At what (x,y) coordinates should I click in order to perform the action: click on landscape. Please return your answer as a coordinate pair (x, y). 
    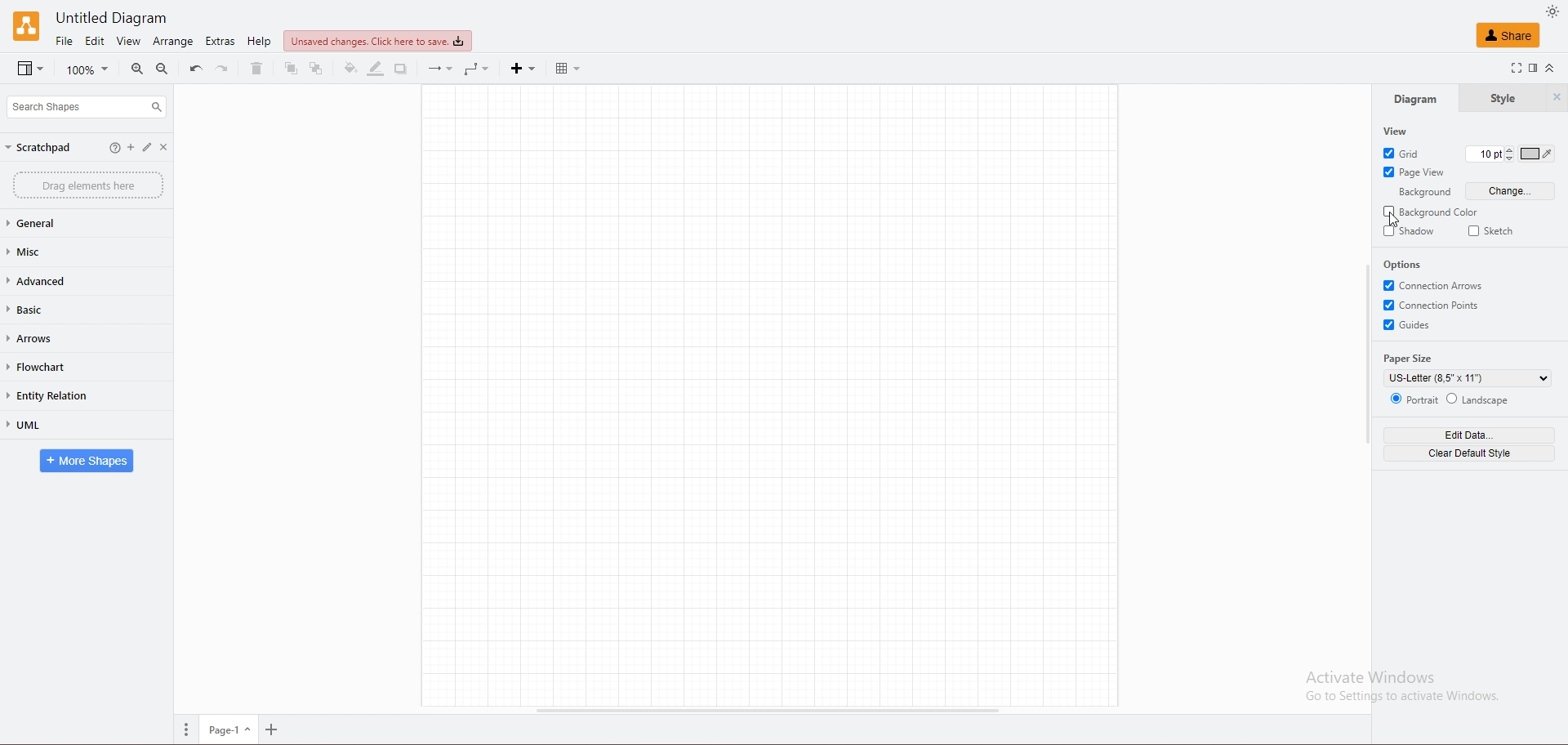
    Looking at the image, I should click on (1480, 399).